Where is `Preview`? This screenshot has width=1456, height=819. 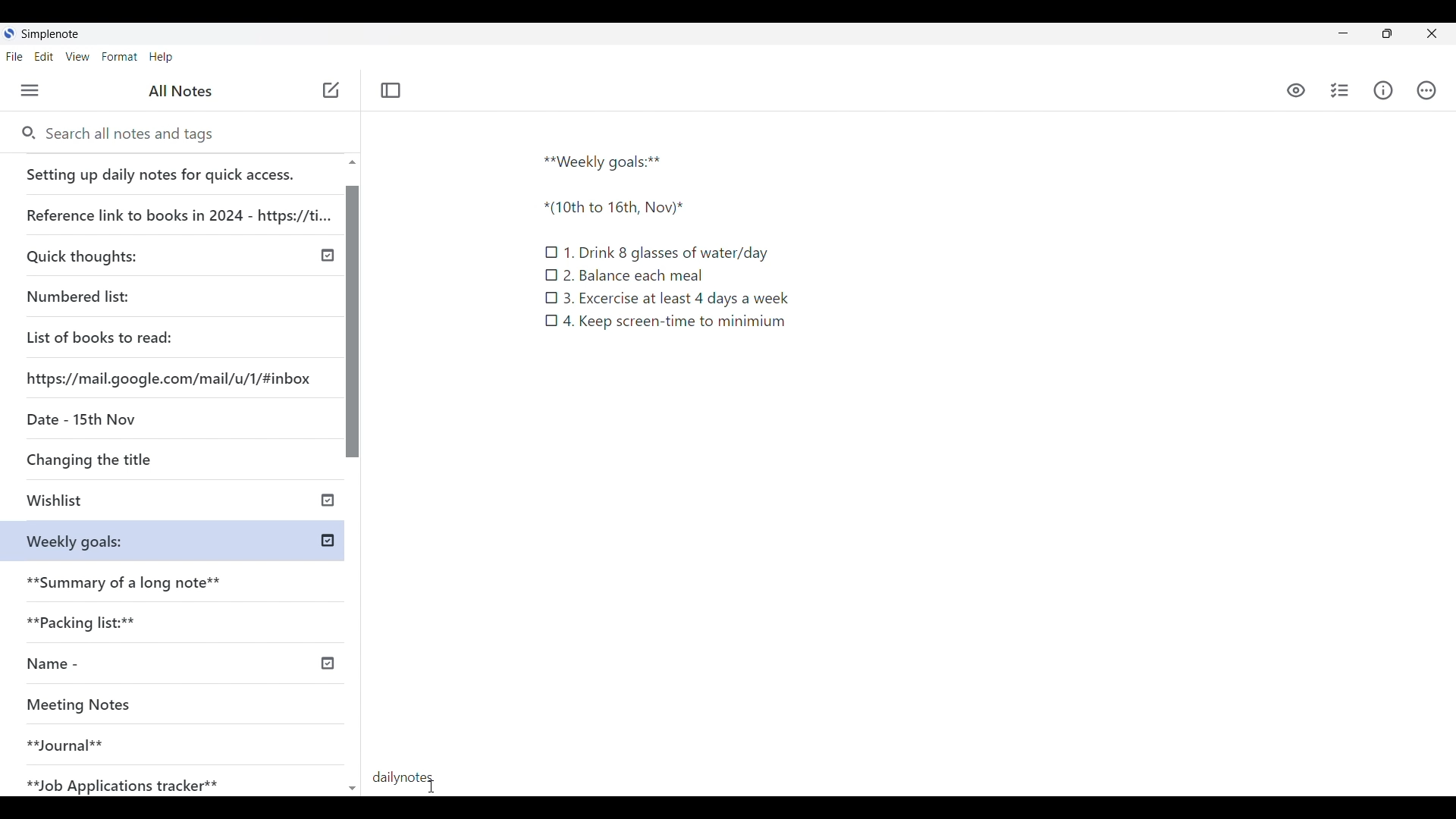
Preview is located at coordinates (1297, 92).